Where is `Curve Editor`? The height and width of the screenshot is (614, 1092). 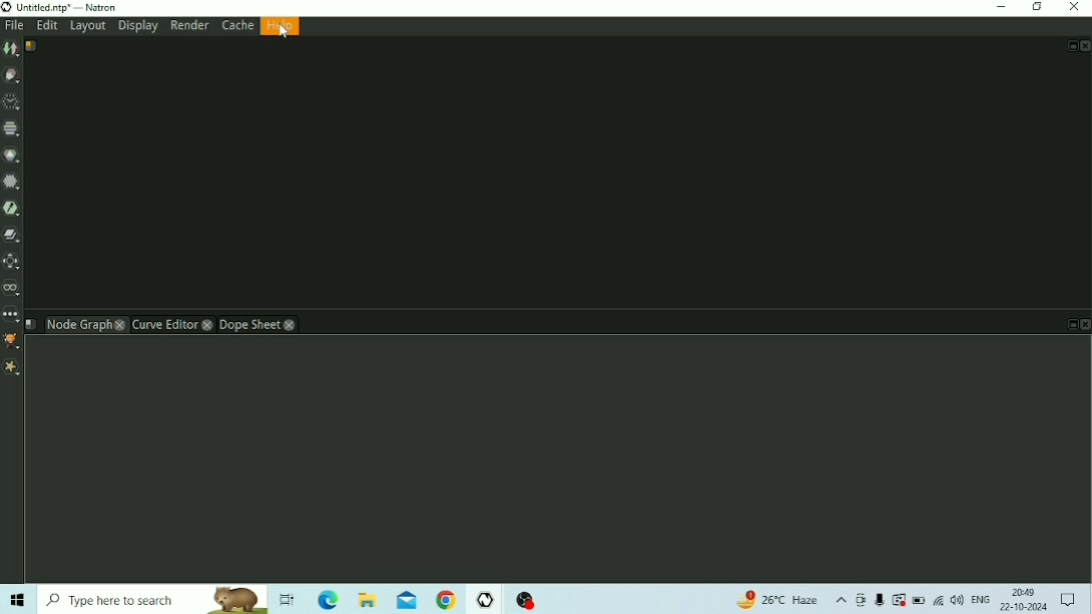 Curve Editor is located at coordinates (172, 324).